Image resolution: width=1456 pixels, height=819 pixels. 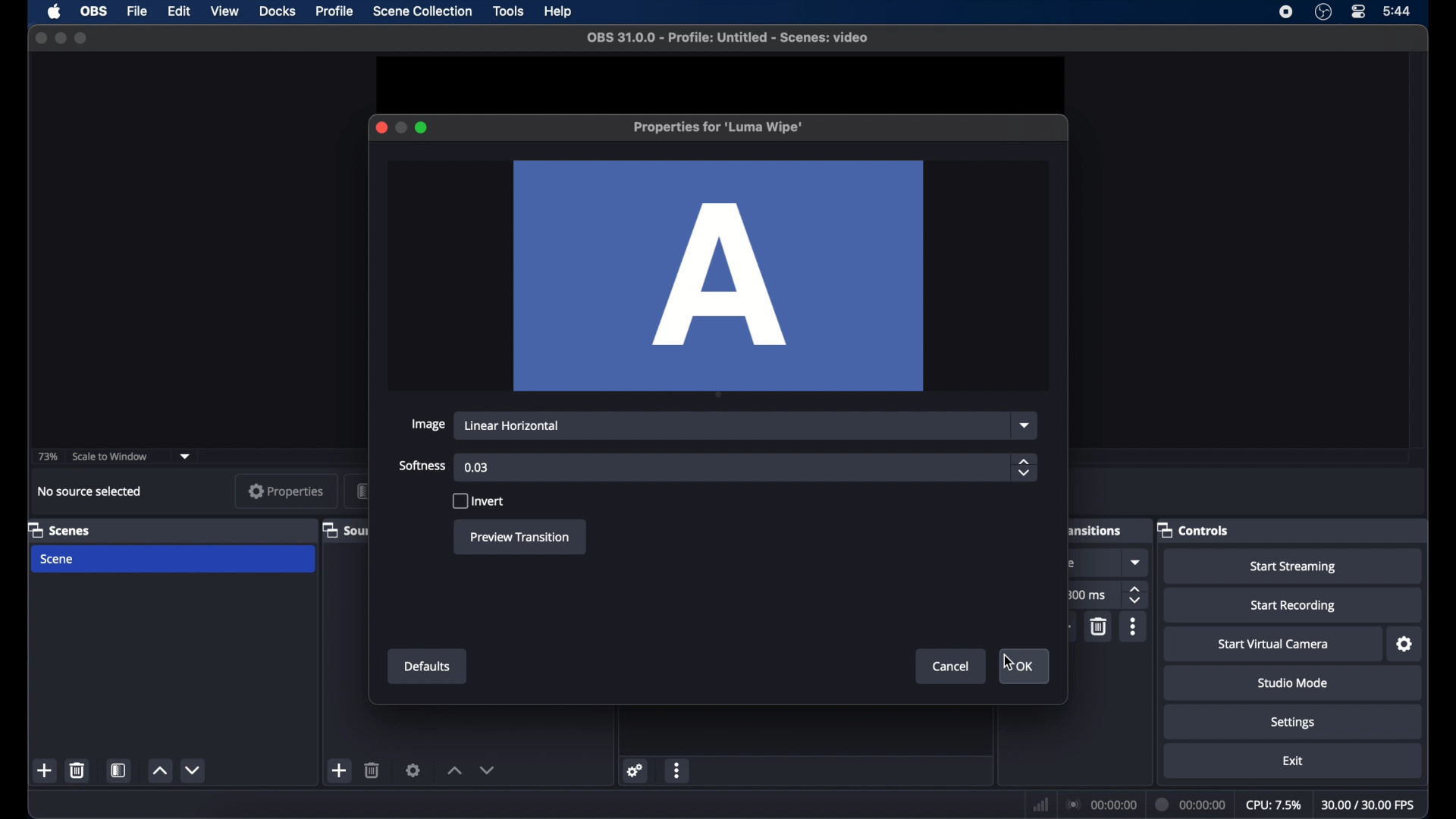 I want to click on profile, so click(x=335, y=11).